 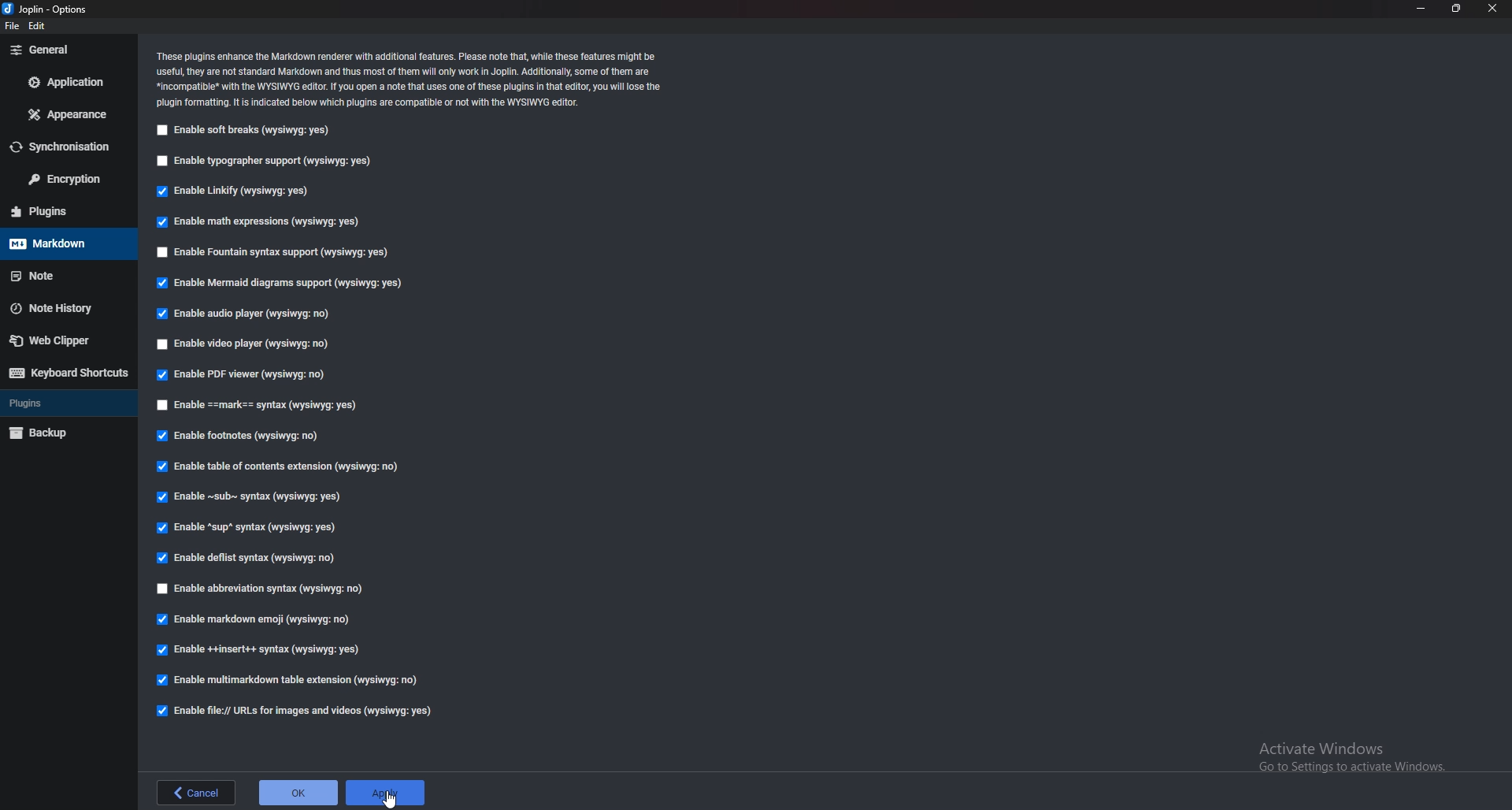 I want to click on Enable file urls for images and videos, so click(x=303, y=712).